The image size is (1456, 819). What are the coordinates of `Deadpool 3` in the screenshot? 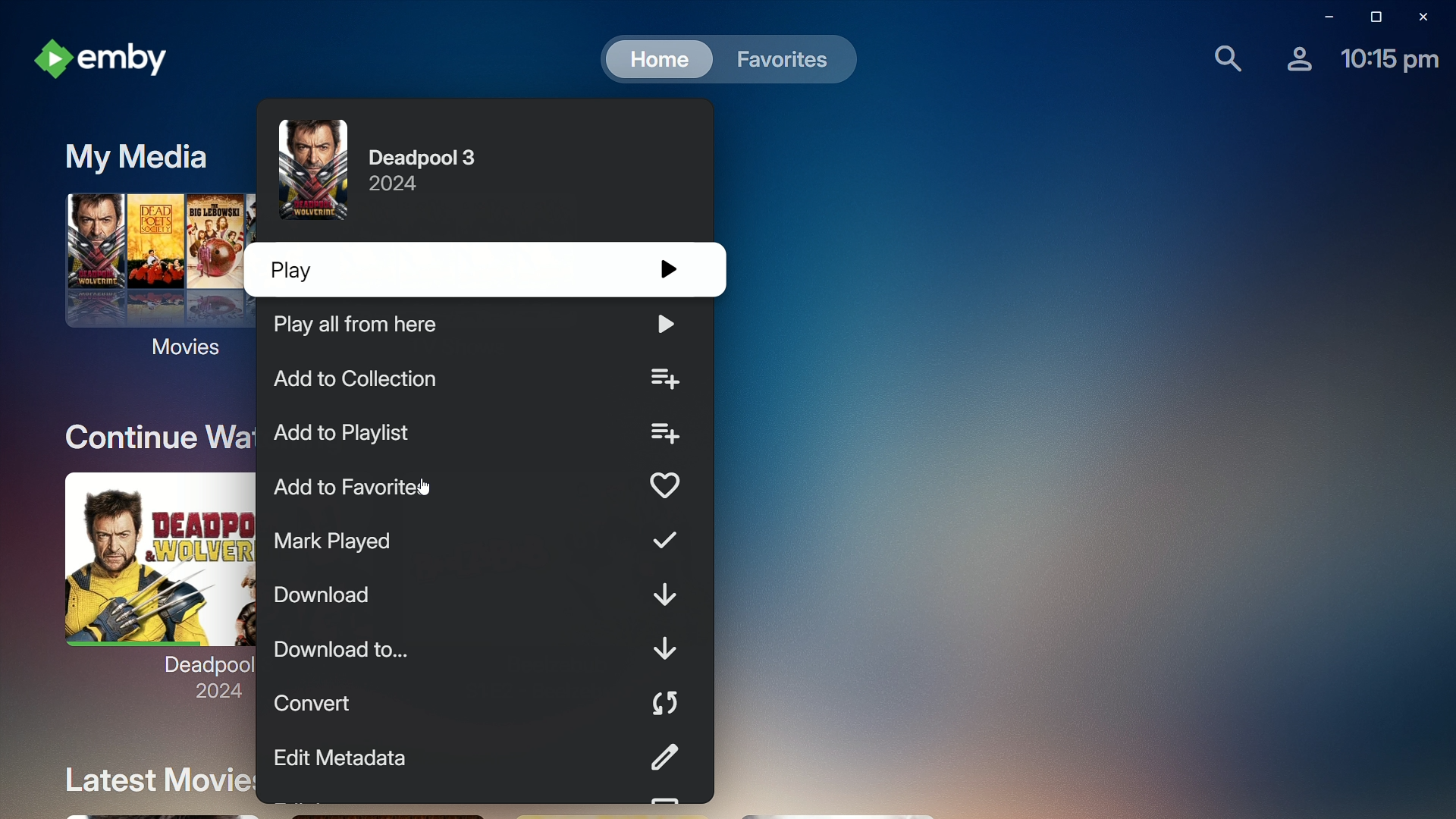 It's located at (393, 165).